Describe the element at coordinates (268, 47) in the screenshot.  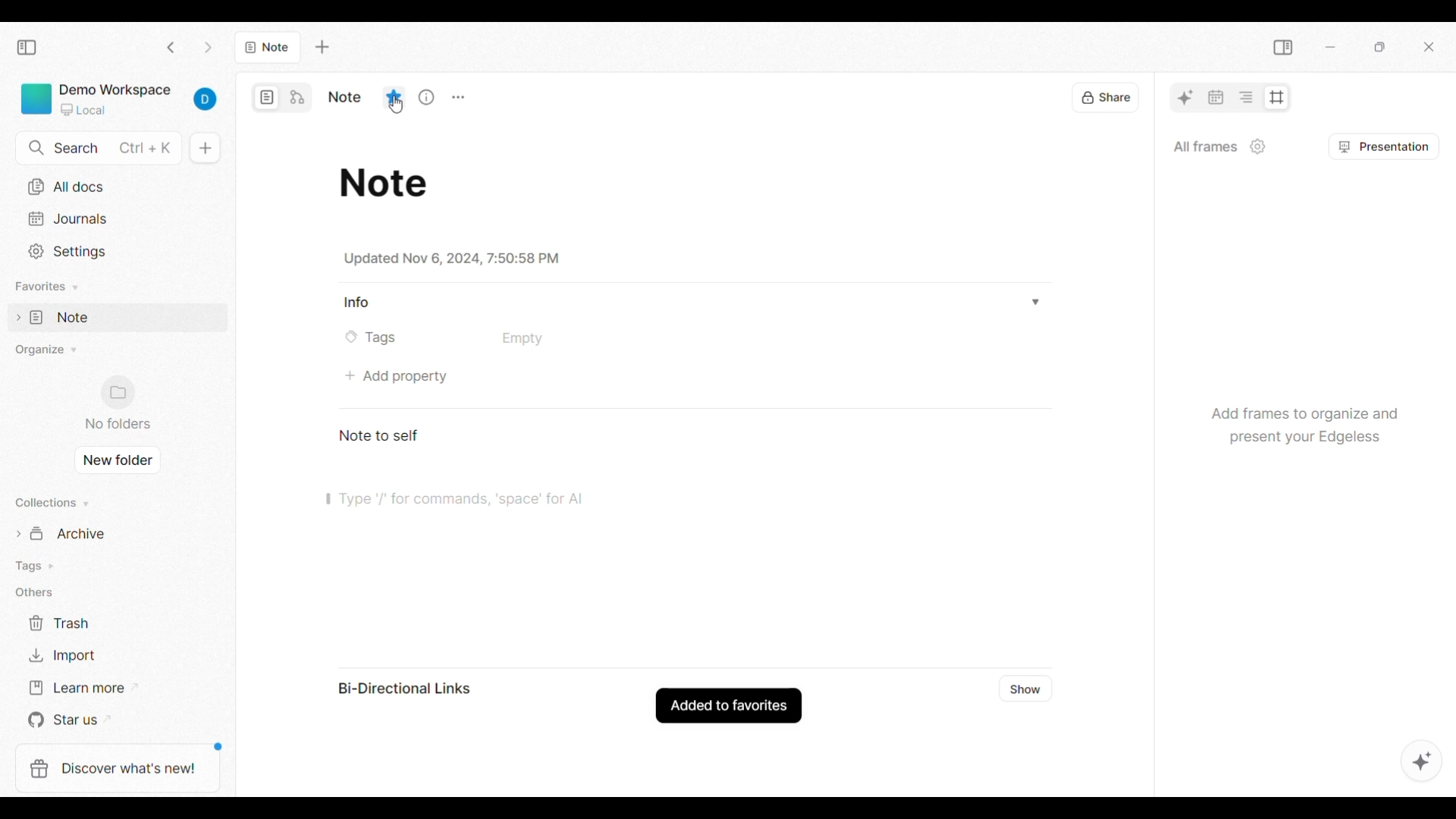
I see `Current tab` at that location.